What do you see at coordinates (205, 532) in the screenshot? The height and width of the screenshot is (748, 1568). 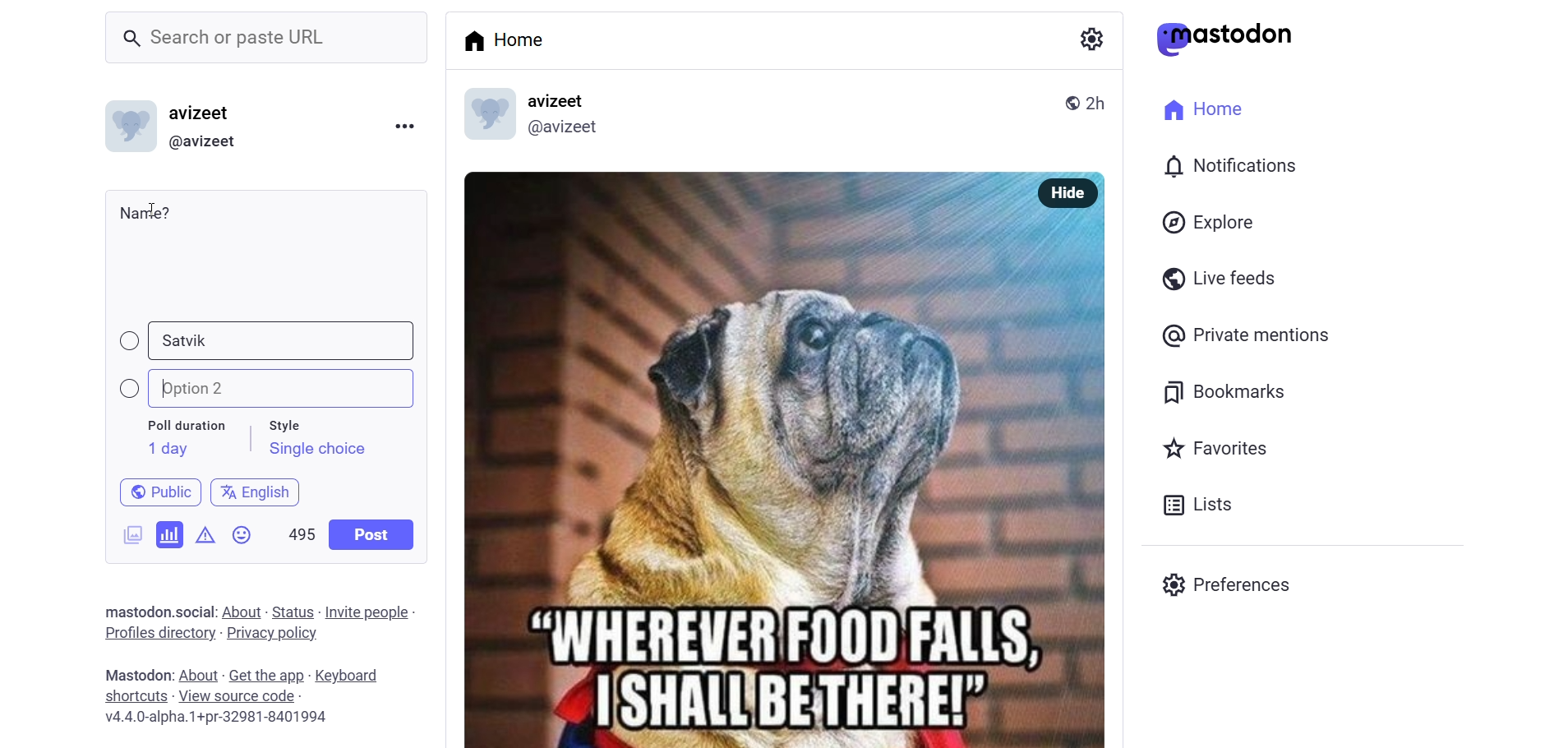 I see `content warning` at bounding box center [205, 532].